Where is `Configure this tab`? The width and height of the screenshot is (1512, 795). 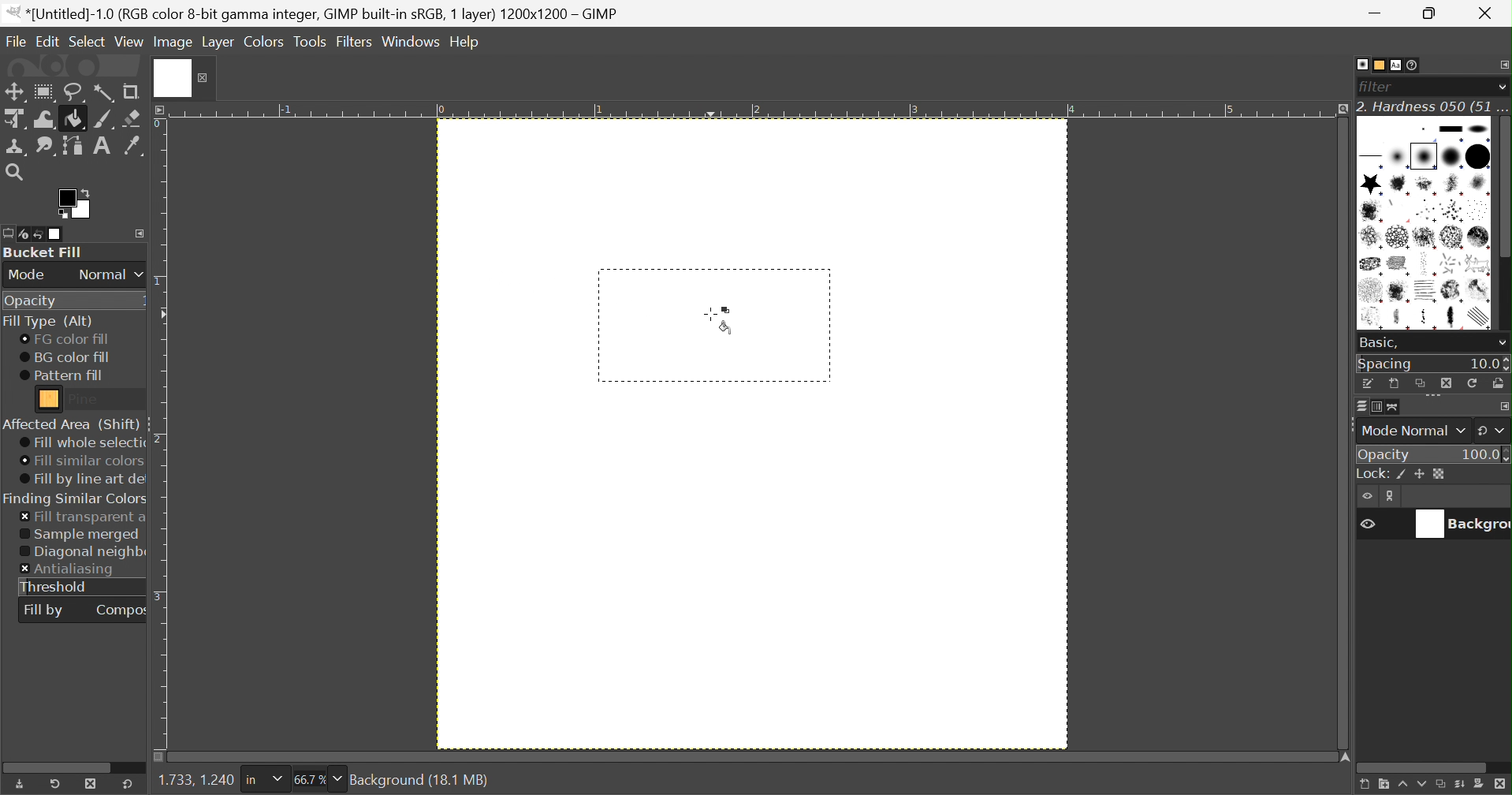
Configure this tab is located at coordinates (140, 233).